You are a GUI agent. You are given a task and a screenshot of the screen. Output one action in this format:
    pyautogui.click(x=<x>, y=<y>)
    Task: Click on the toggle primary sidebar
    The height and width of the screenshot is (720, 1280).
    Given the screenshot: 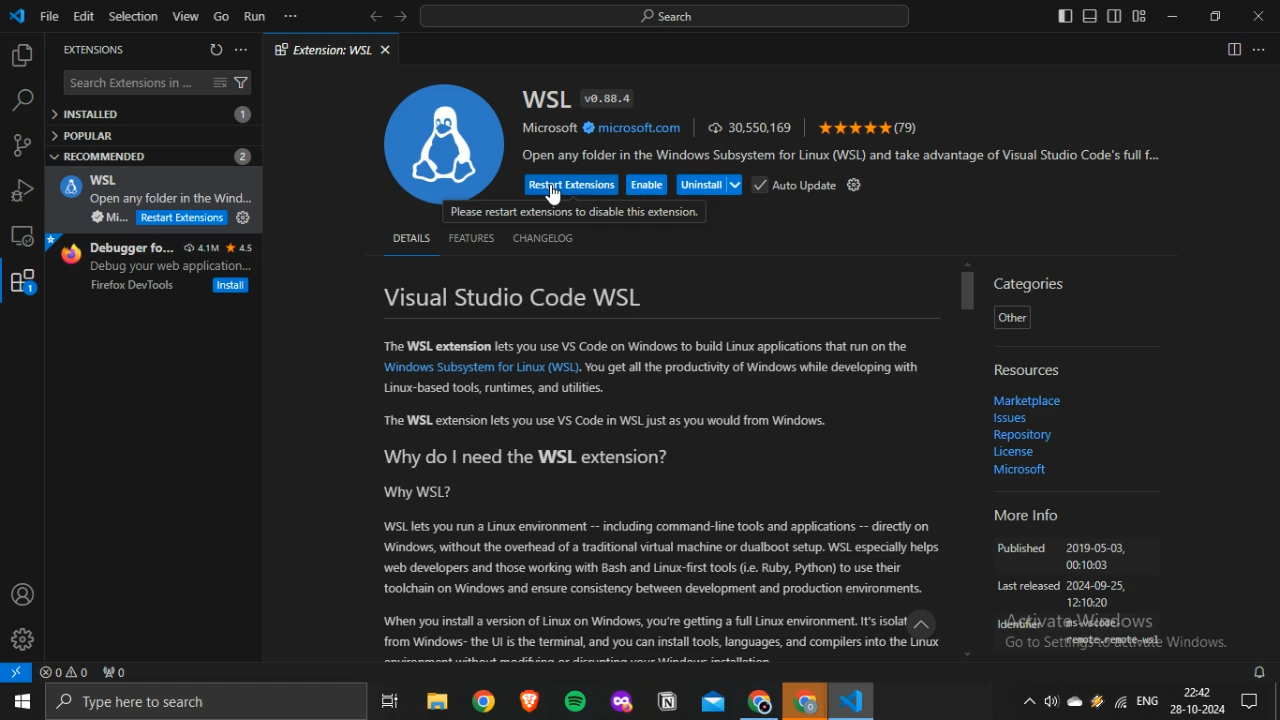 What is the action you would take?
    pyautogui.click(x=1065, y=15)
    